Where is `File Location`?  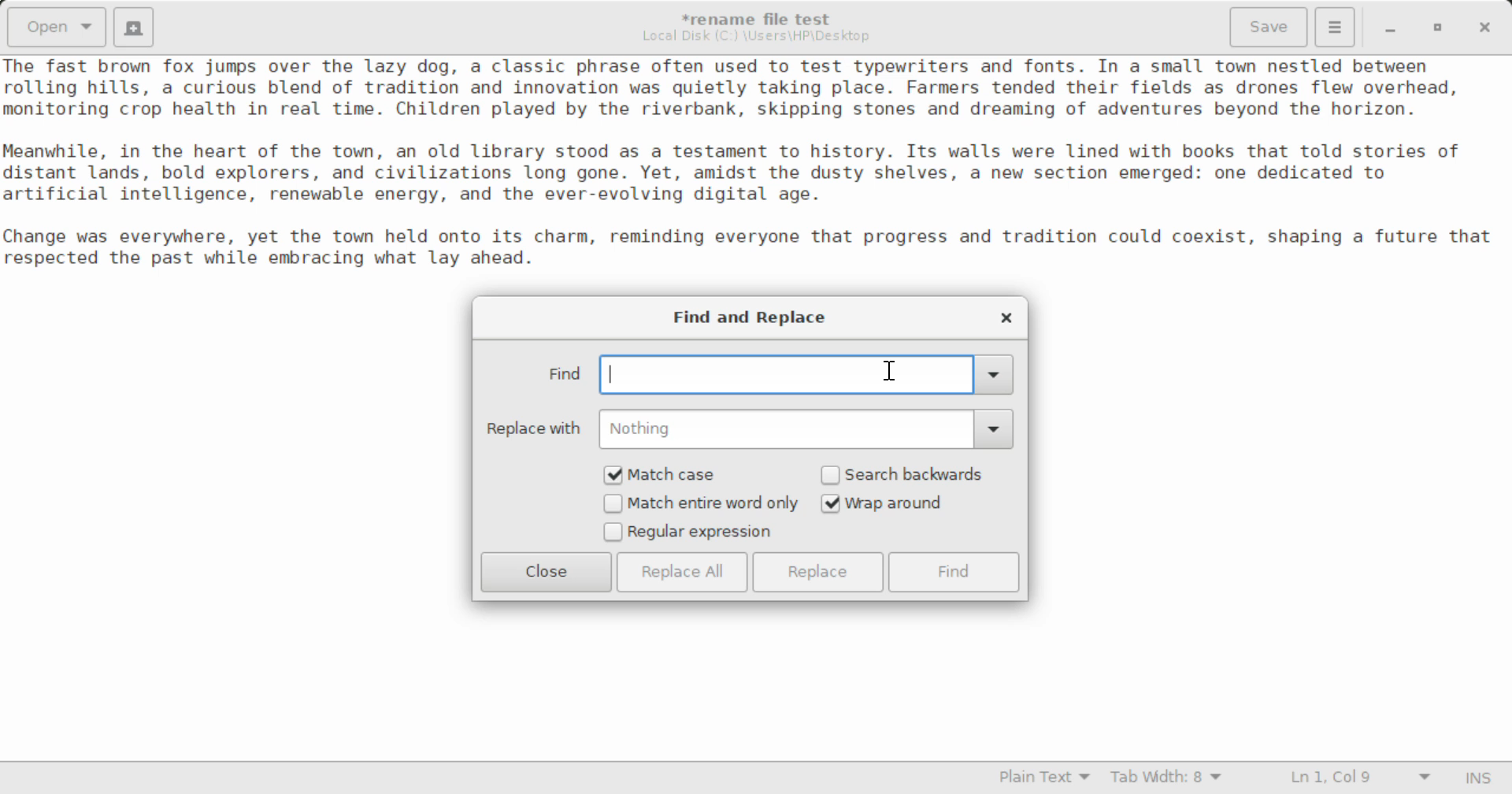 File Location is located at coordinates (760, 38).